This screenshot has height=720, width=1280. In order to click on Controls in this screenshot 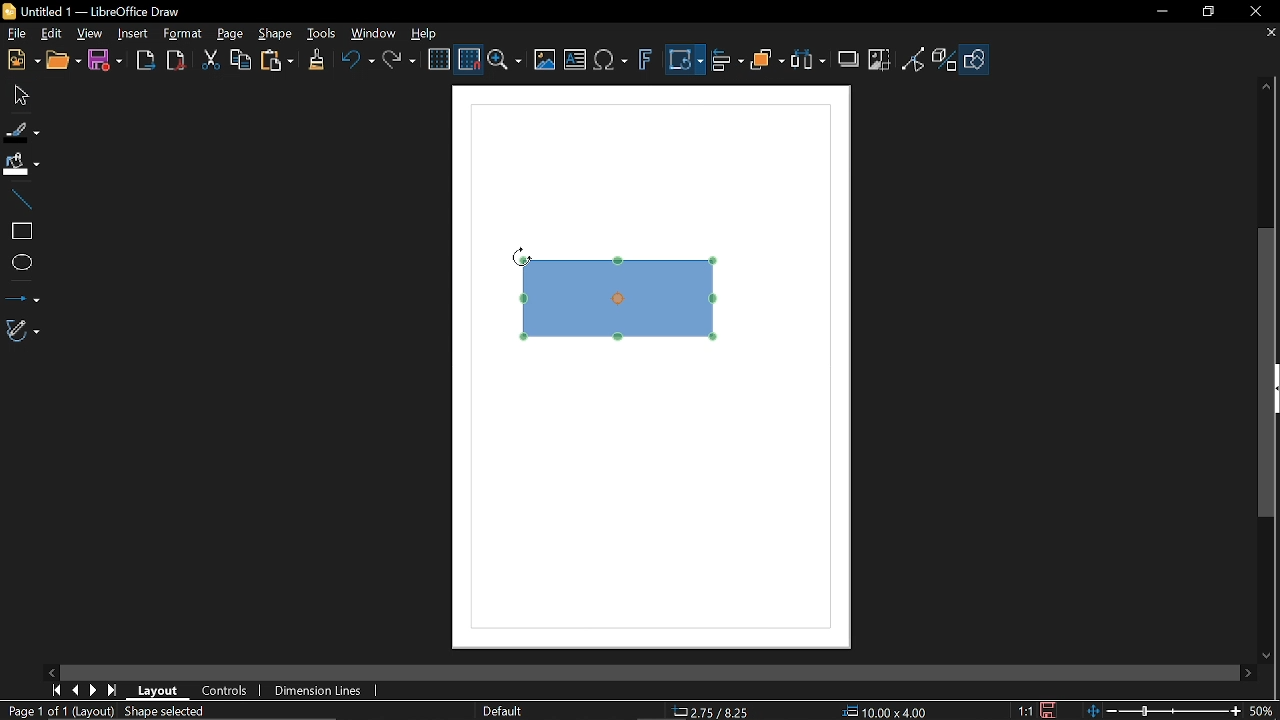, I will do `click(226, 690)`.